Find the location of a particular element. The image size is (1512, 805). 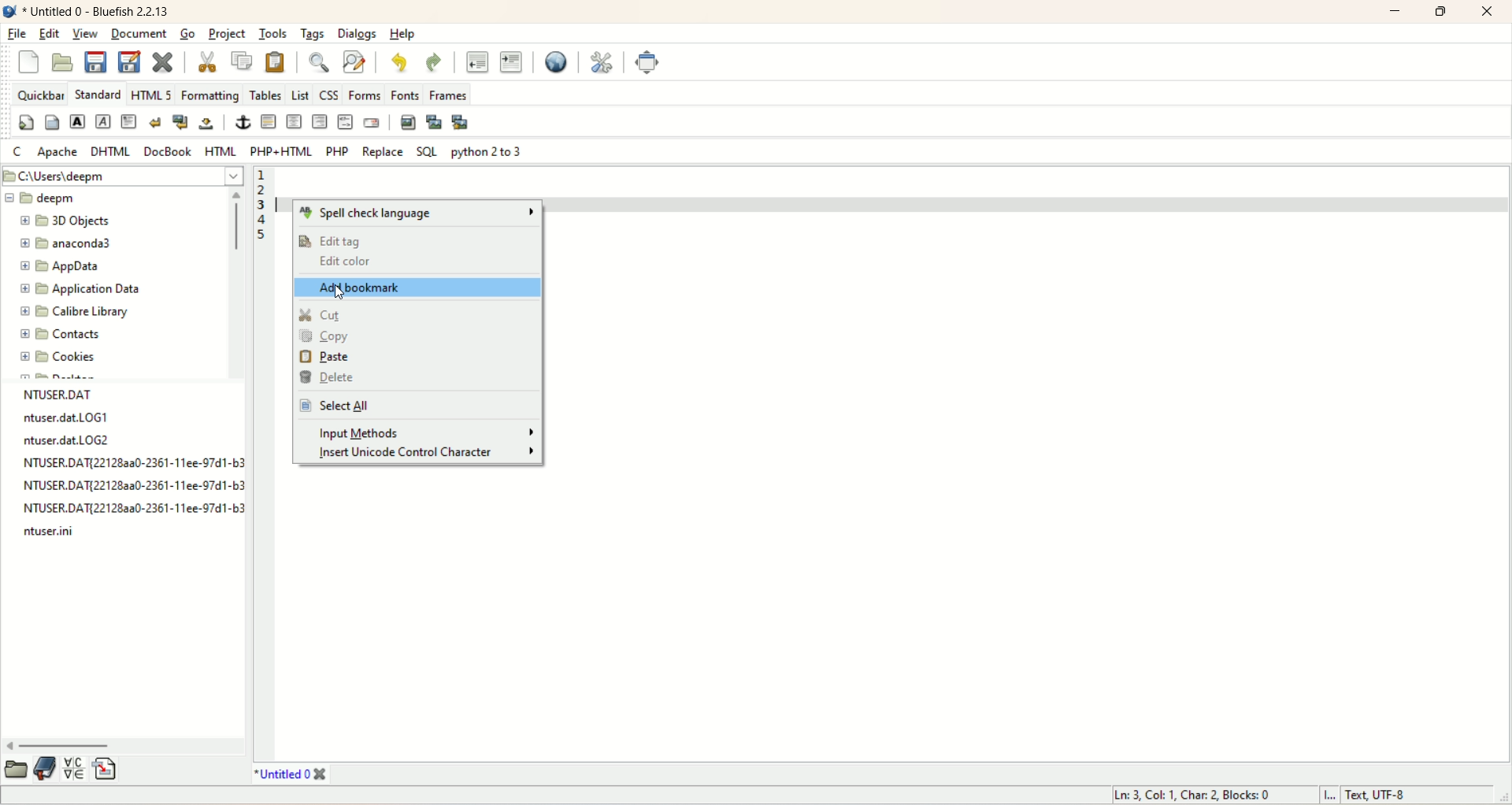

DOCBOOK is located at coordinates (169, 150).